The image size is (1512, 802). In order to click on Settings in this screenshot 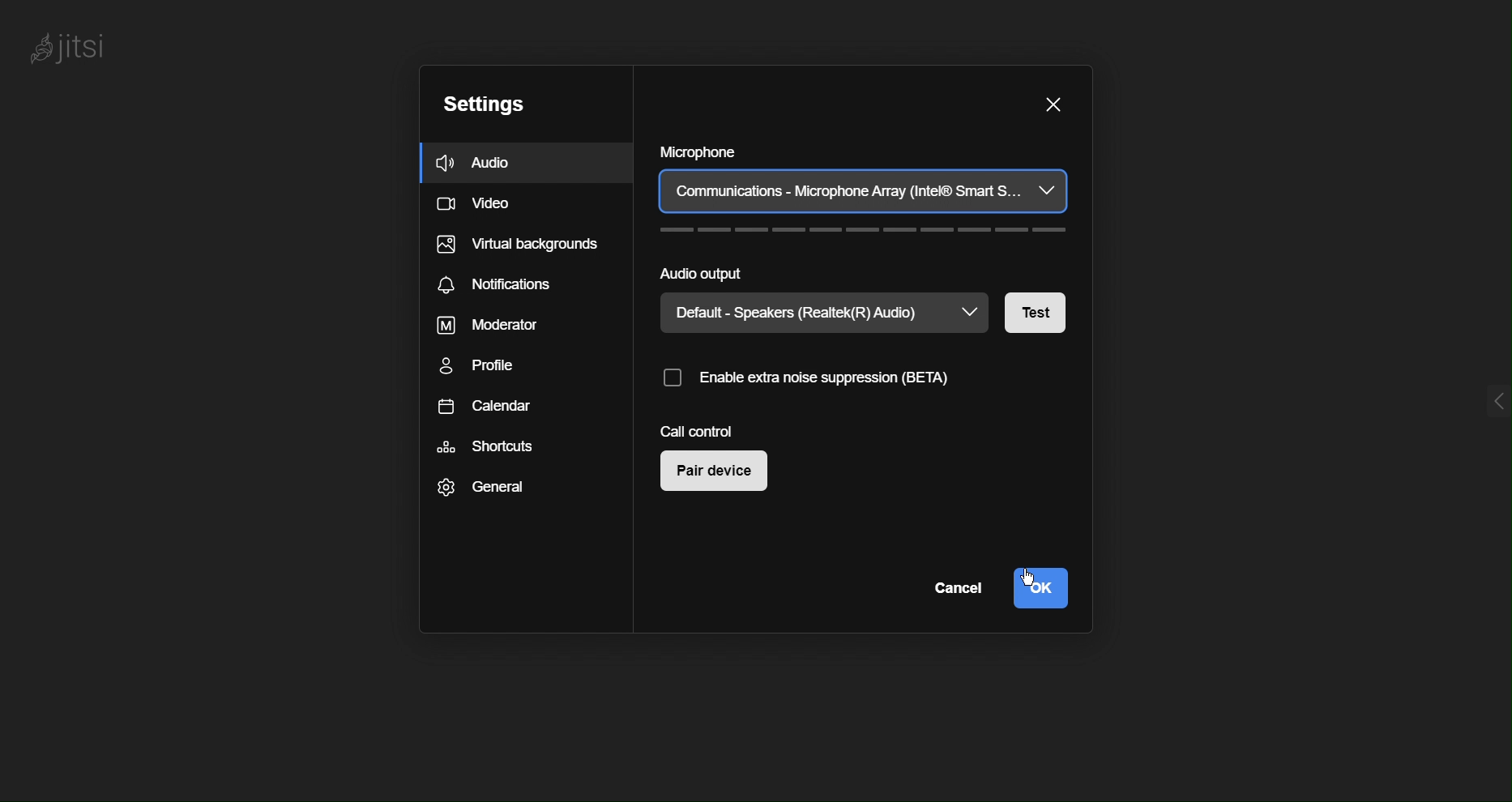, I will do `click(482, 104)`.